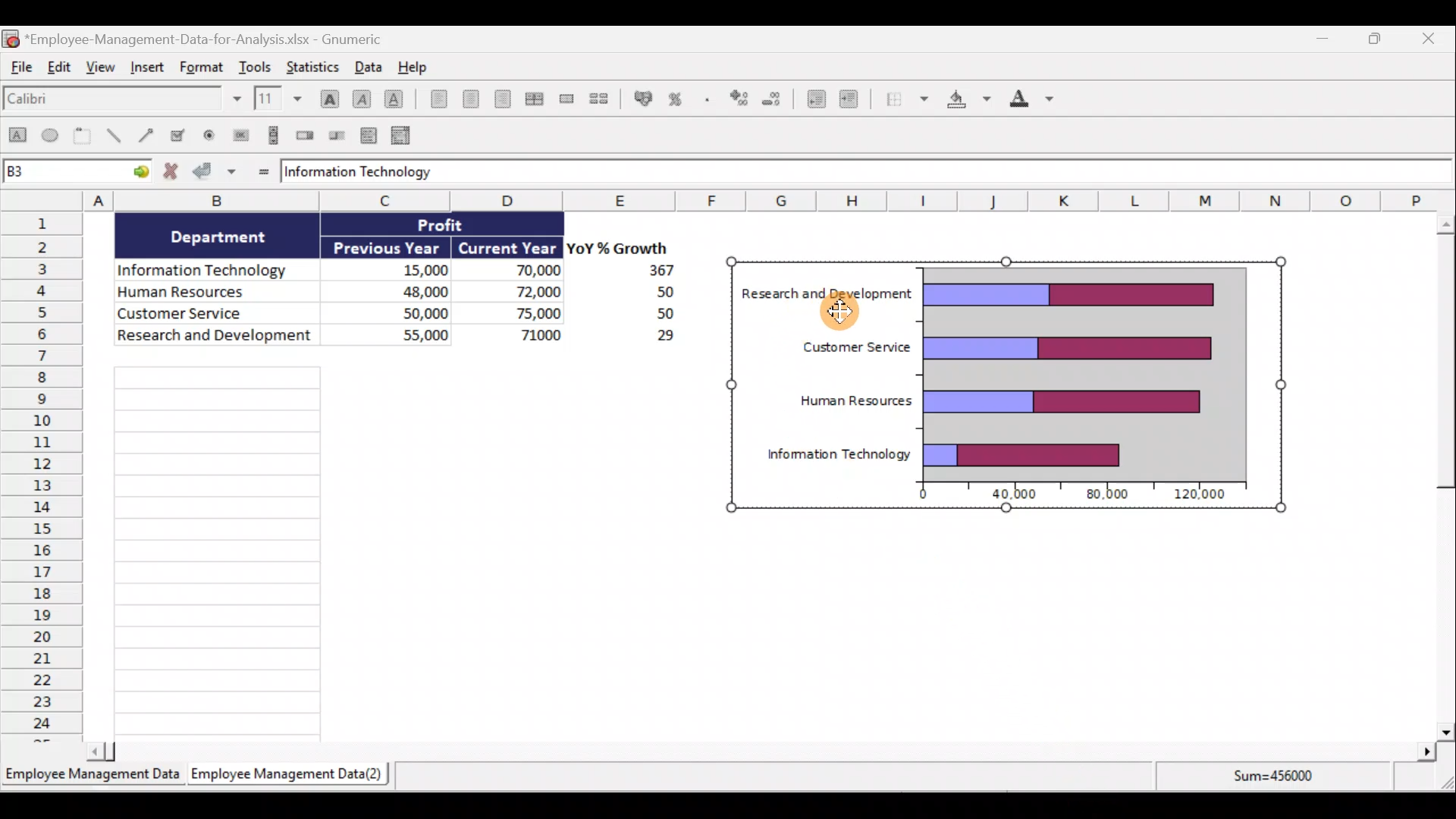 The width and height of the screenshot is (1456, 819). What do you see at coordinates (866, 170) in the screenshot?
I see `Formula bar` at bounding box center [866, 170].